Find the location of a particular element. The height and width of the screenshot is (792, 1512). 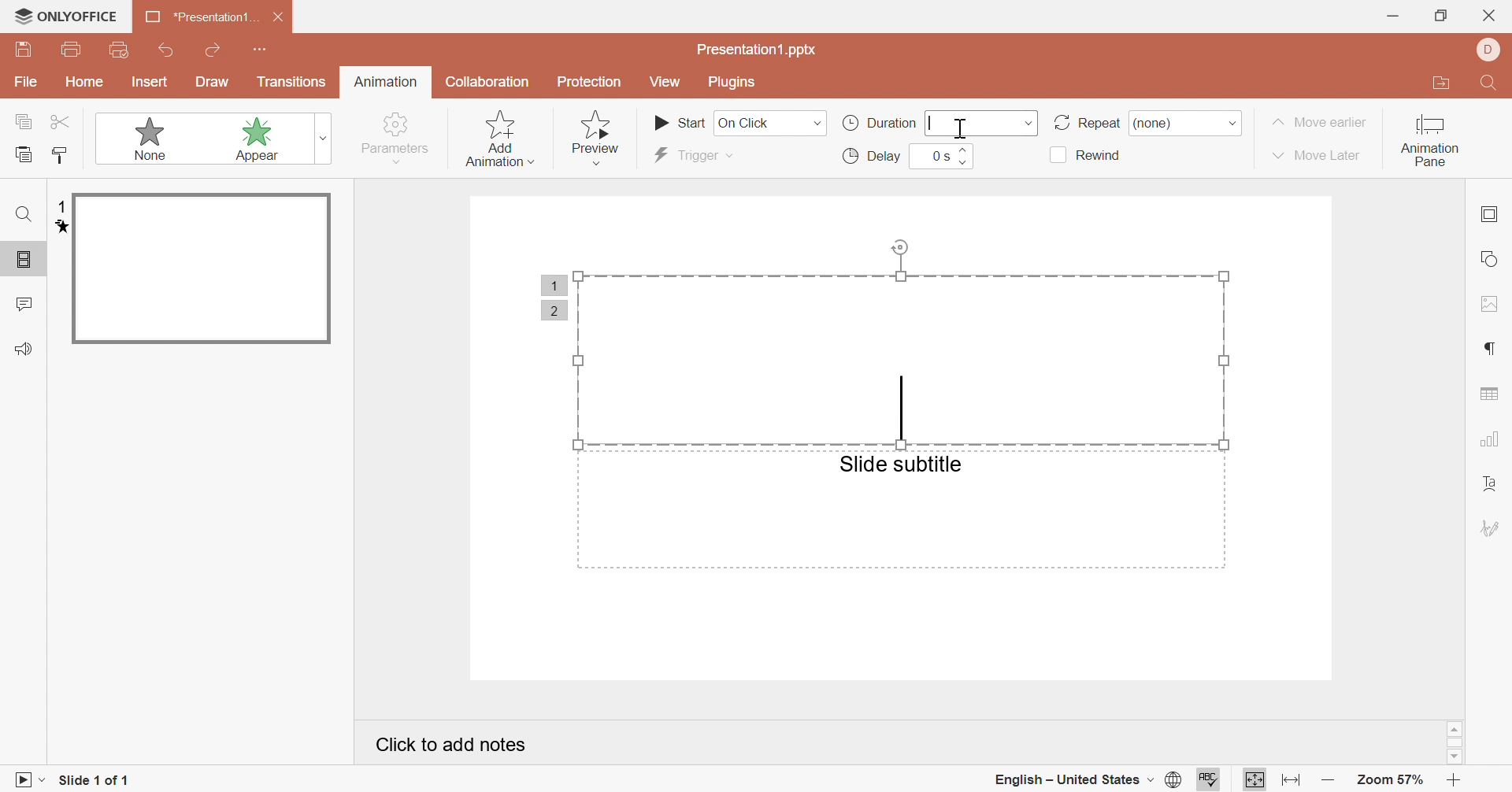

scroll bar is located at coordinates (1455, 744).